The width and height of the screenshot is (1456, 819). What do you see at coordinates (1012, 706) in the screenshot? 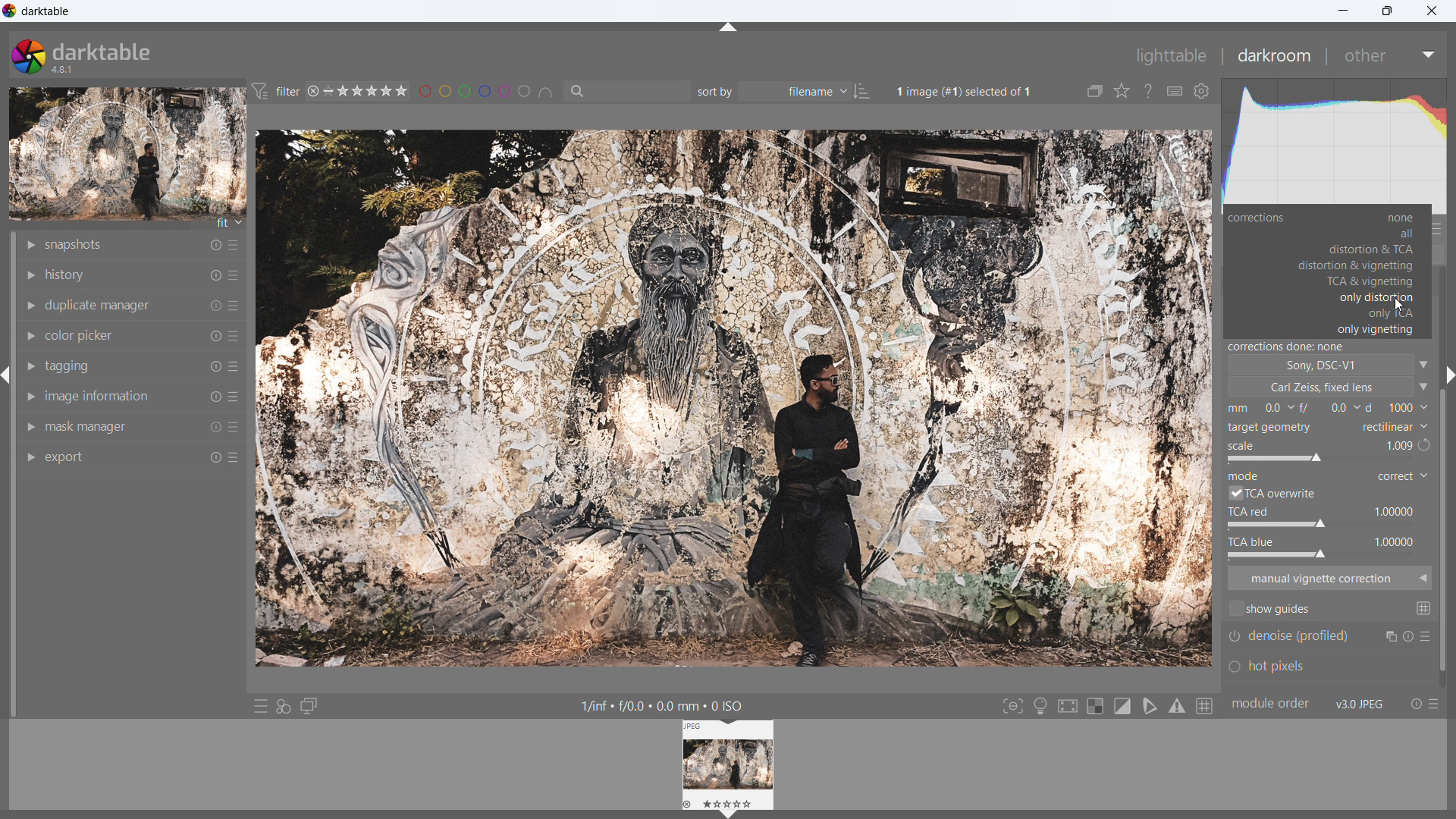
I see `toggle focus-peaking mode` at bounding box center [1012, 706].